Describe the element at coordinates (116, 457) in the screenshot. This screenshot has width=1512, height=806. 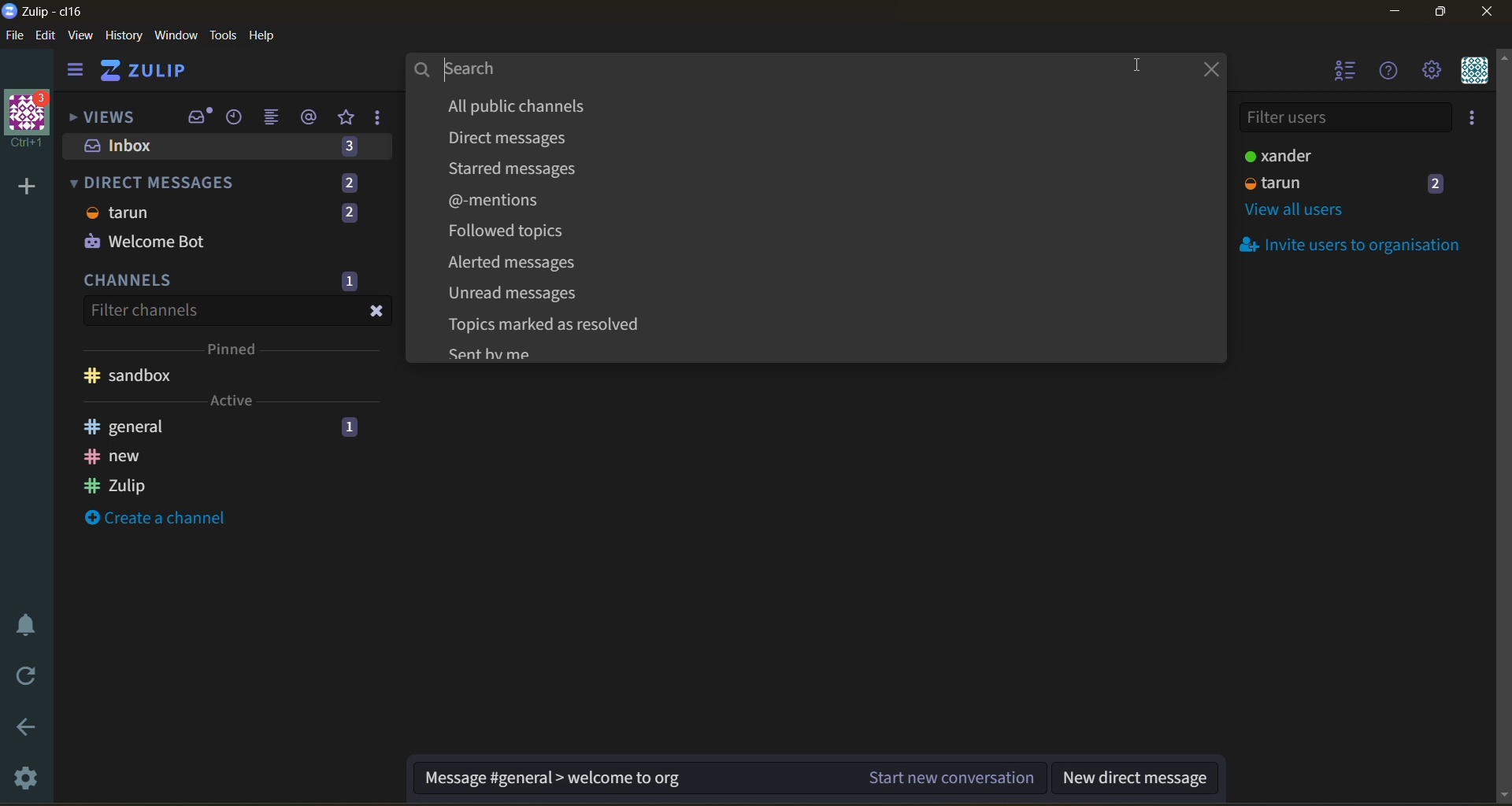
I see `# new` at that location.